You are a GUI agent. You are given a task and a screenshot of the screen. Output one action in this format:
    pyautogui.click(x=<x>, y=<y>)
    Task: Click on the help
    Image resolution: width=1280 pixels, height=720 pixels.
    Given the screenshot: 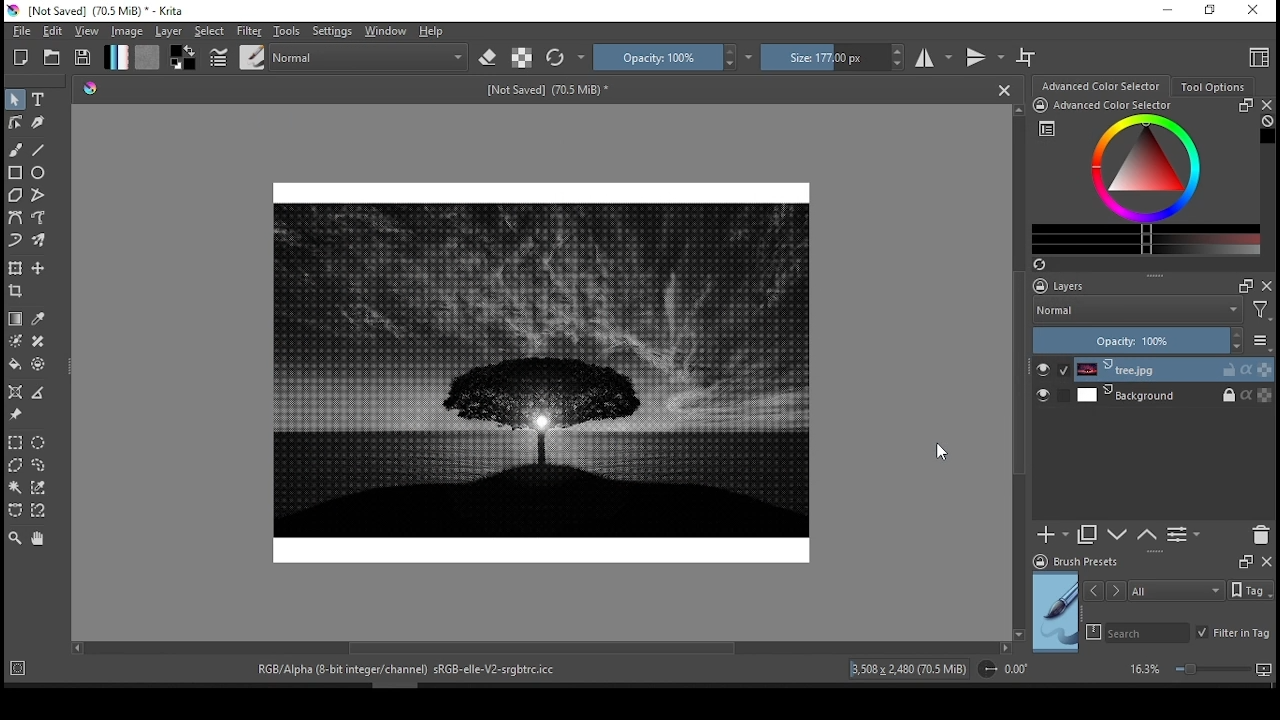 What is the action you would take?
    pyautogui.click(x=432, y=32)
    